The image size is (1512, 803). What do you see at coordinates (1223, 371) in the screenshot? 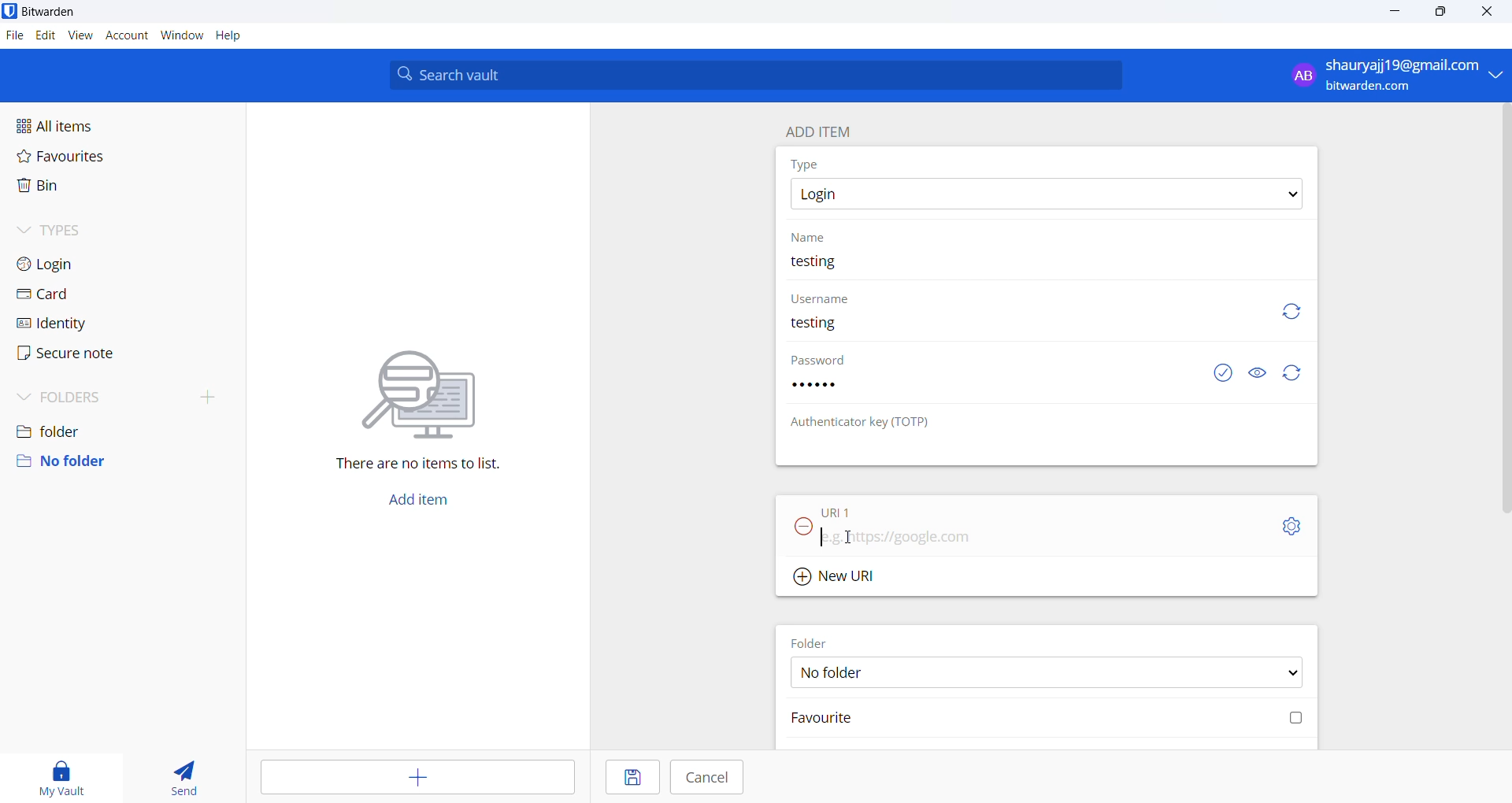
I see `exposed` at bounding box center [1223, 371].